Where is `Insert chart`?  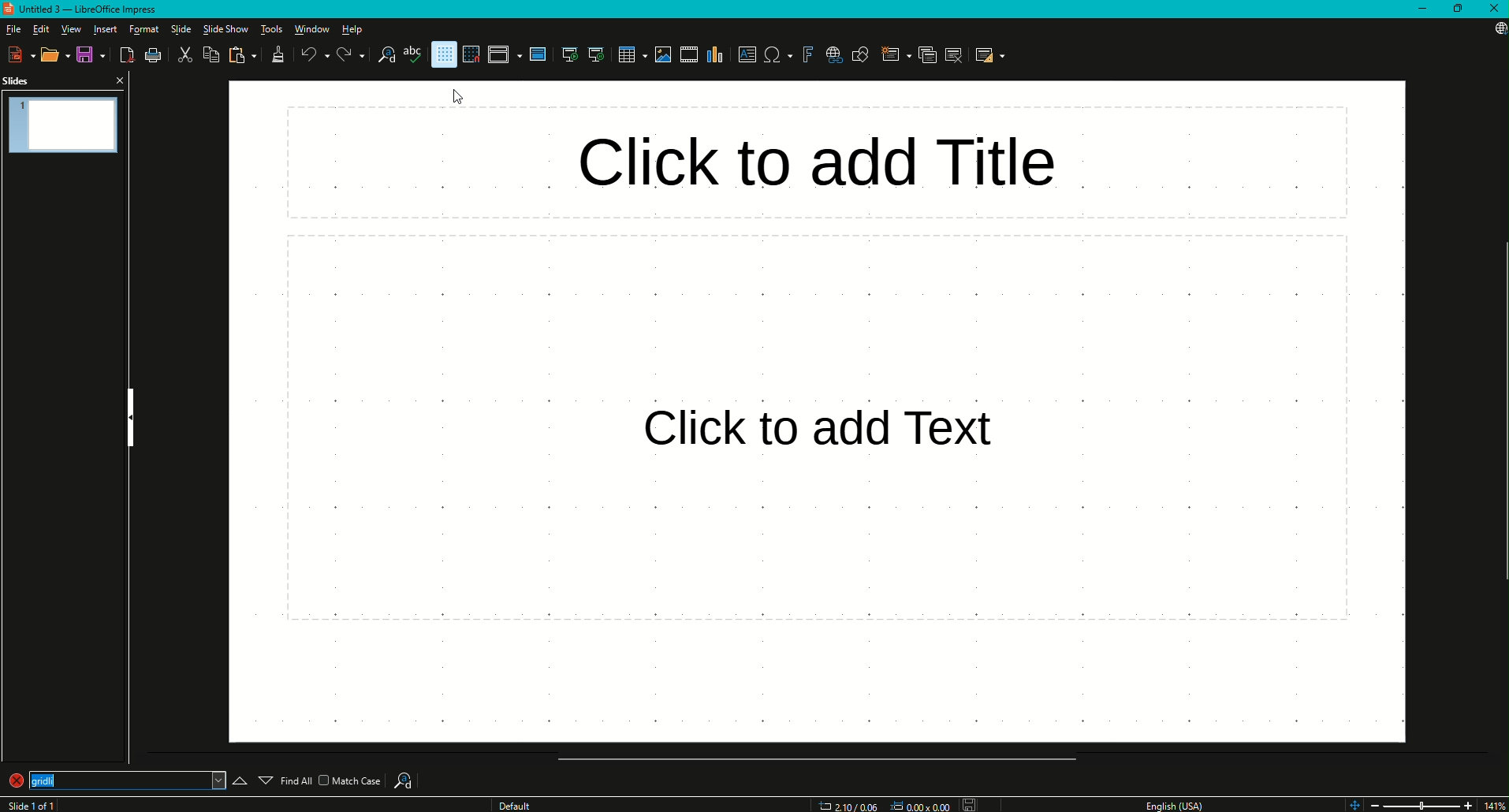 Insert chart is located at coordinates (714, 55).